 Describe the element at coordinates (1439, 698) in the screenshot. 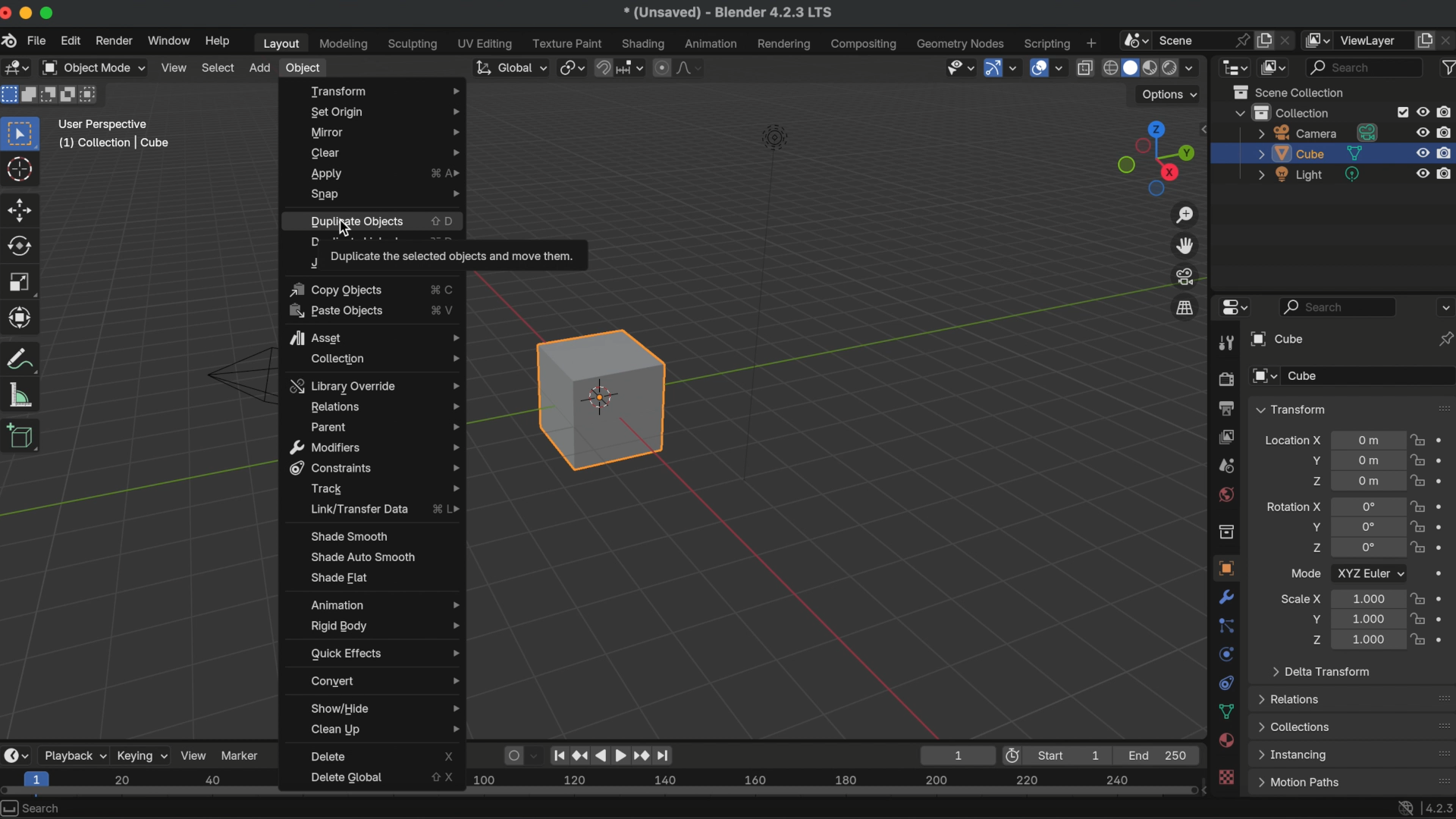

I see `drag handles` at that location.